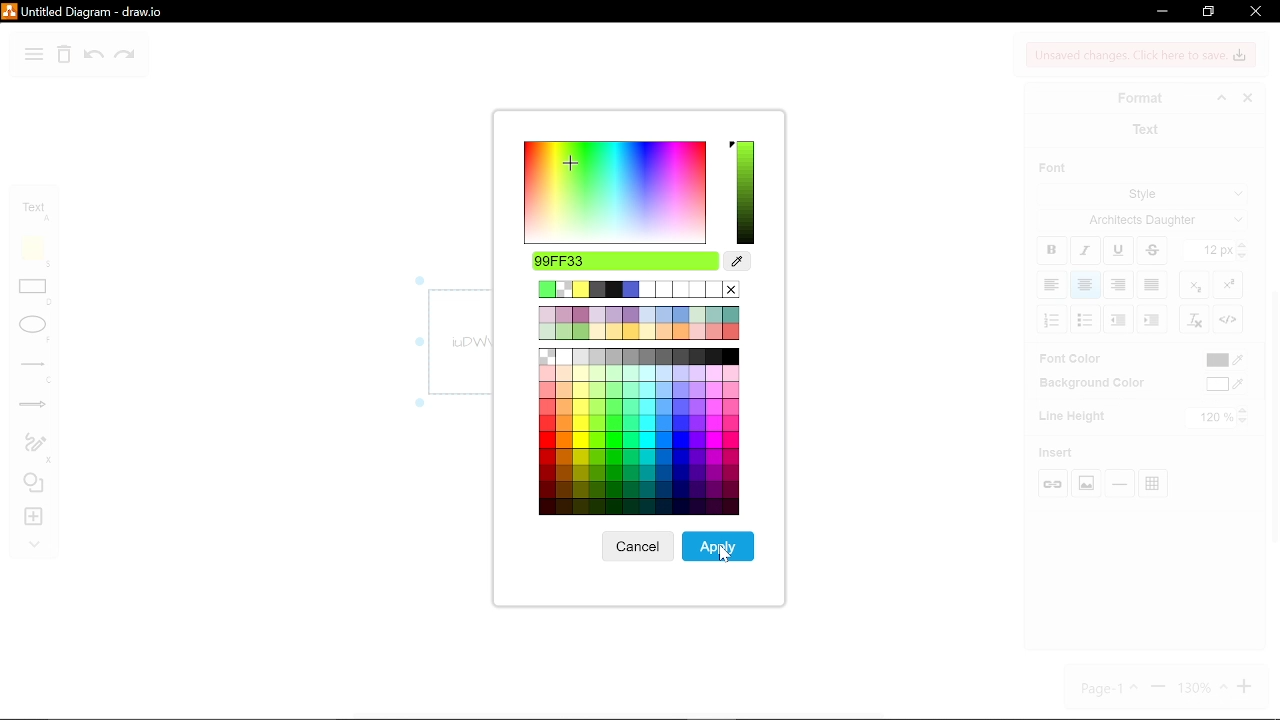 The image size is (1280, 720). I want to click on arrows, so click(27, 404).